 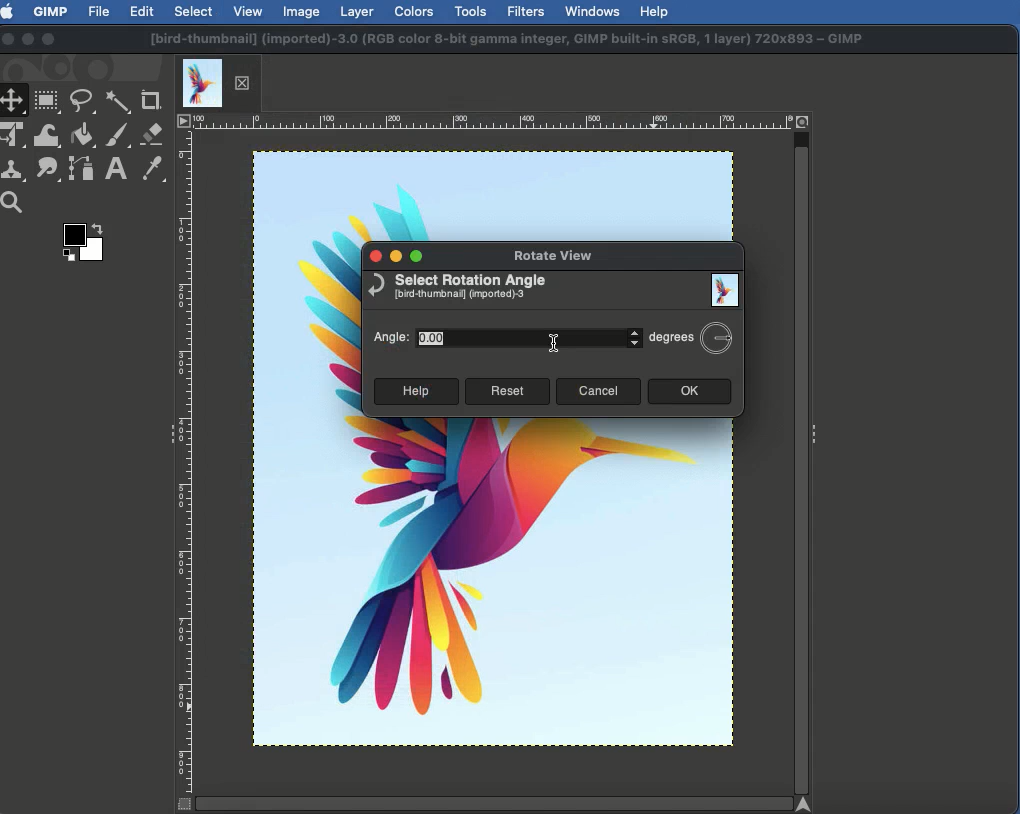 What do you see at coordinates (80, 172) in the screenshot?
I see `Paths` at bounding box center [80, 172].